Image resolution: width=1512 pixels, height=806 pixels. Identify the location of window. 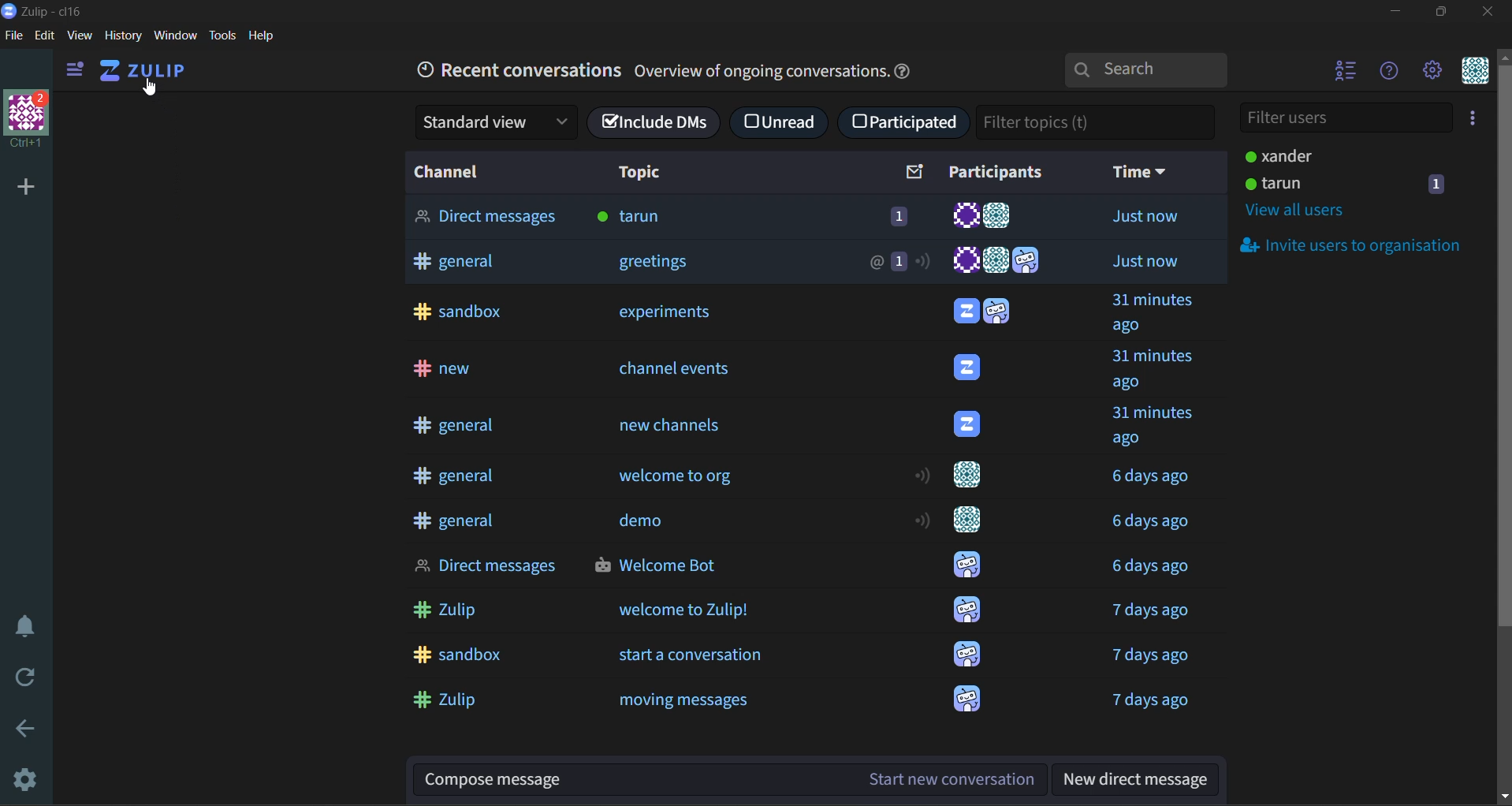
(173, 35).